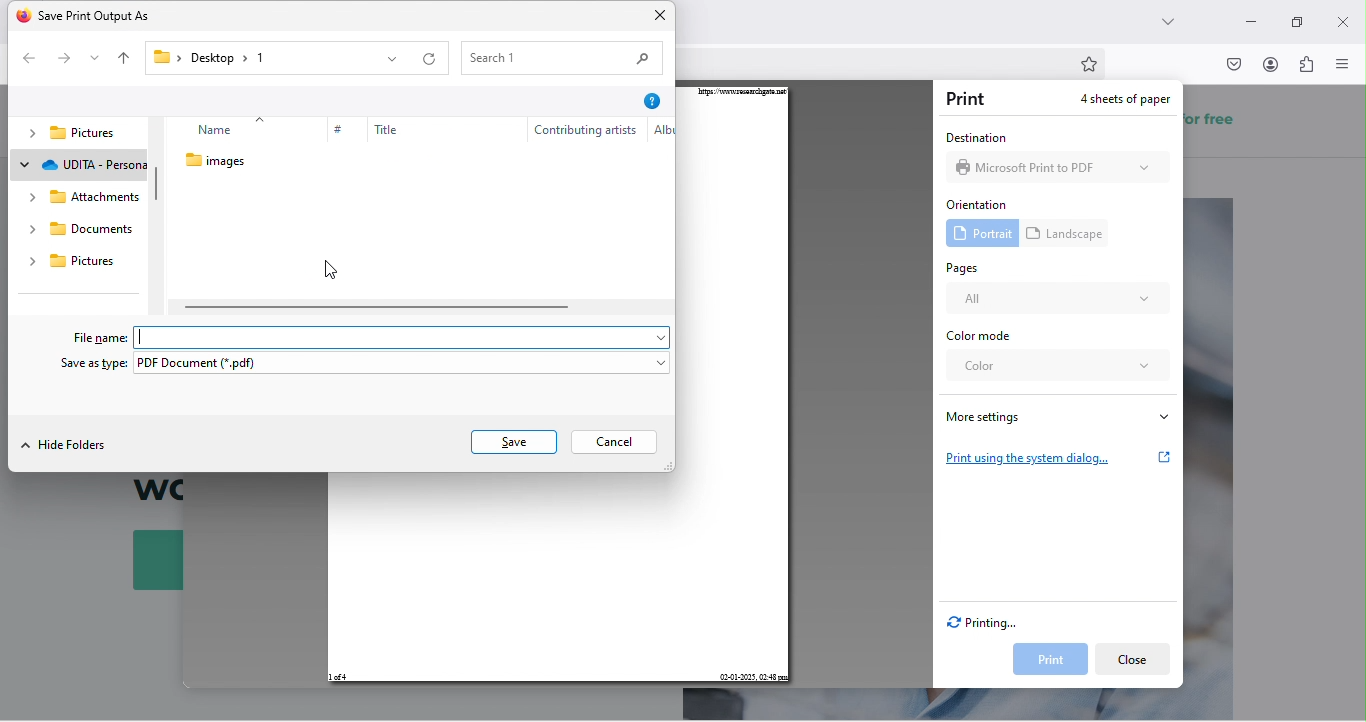 Image resolution: width=1366 pixels, height=722 pixels. Describe the element at coordinates (1069, 233) in the screenshot. I see `landscape` at that location.